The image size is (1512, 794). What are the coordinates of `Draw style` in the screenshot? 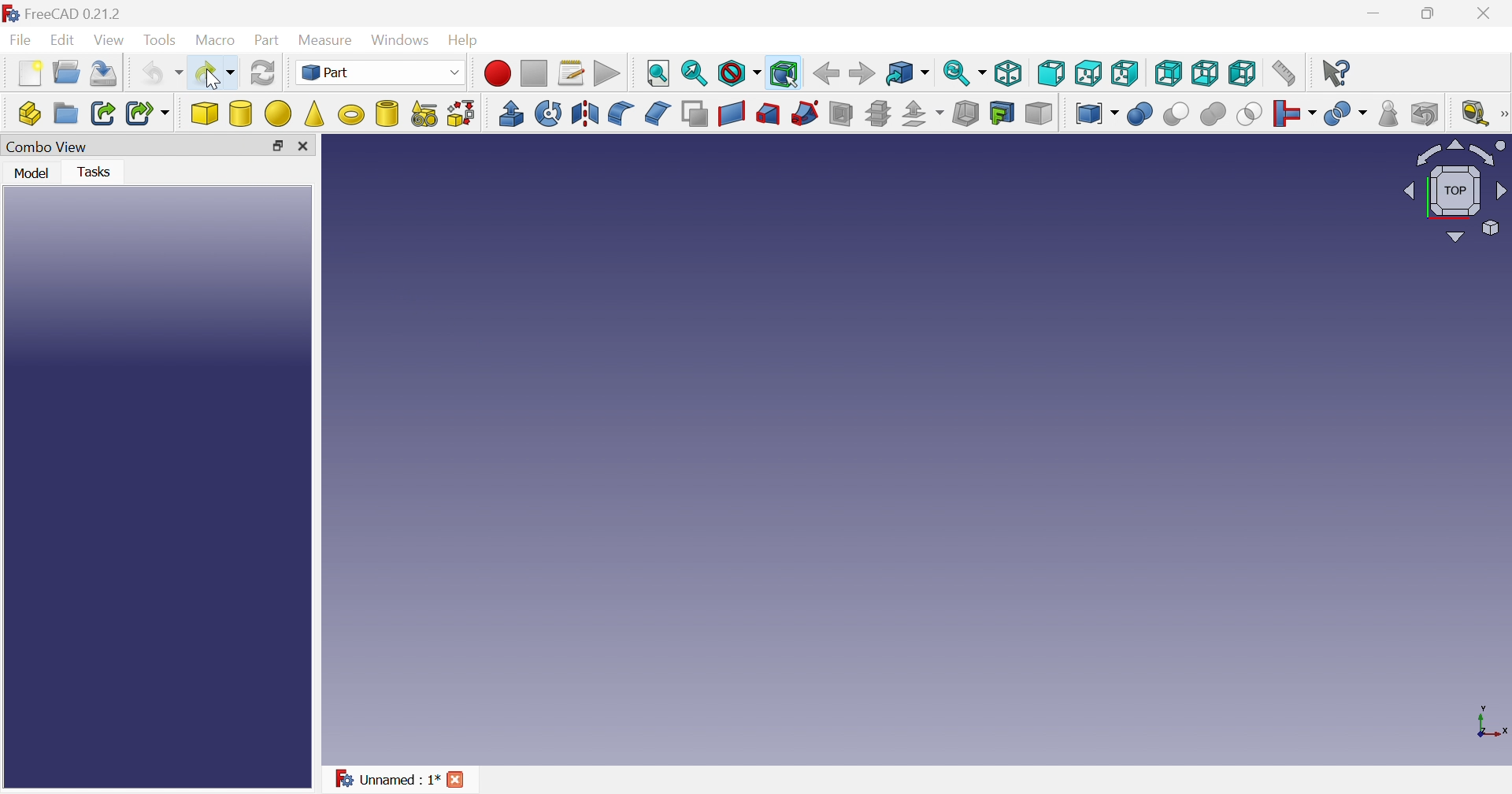 It's located at (739, 75).